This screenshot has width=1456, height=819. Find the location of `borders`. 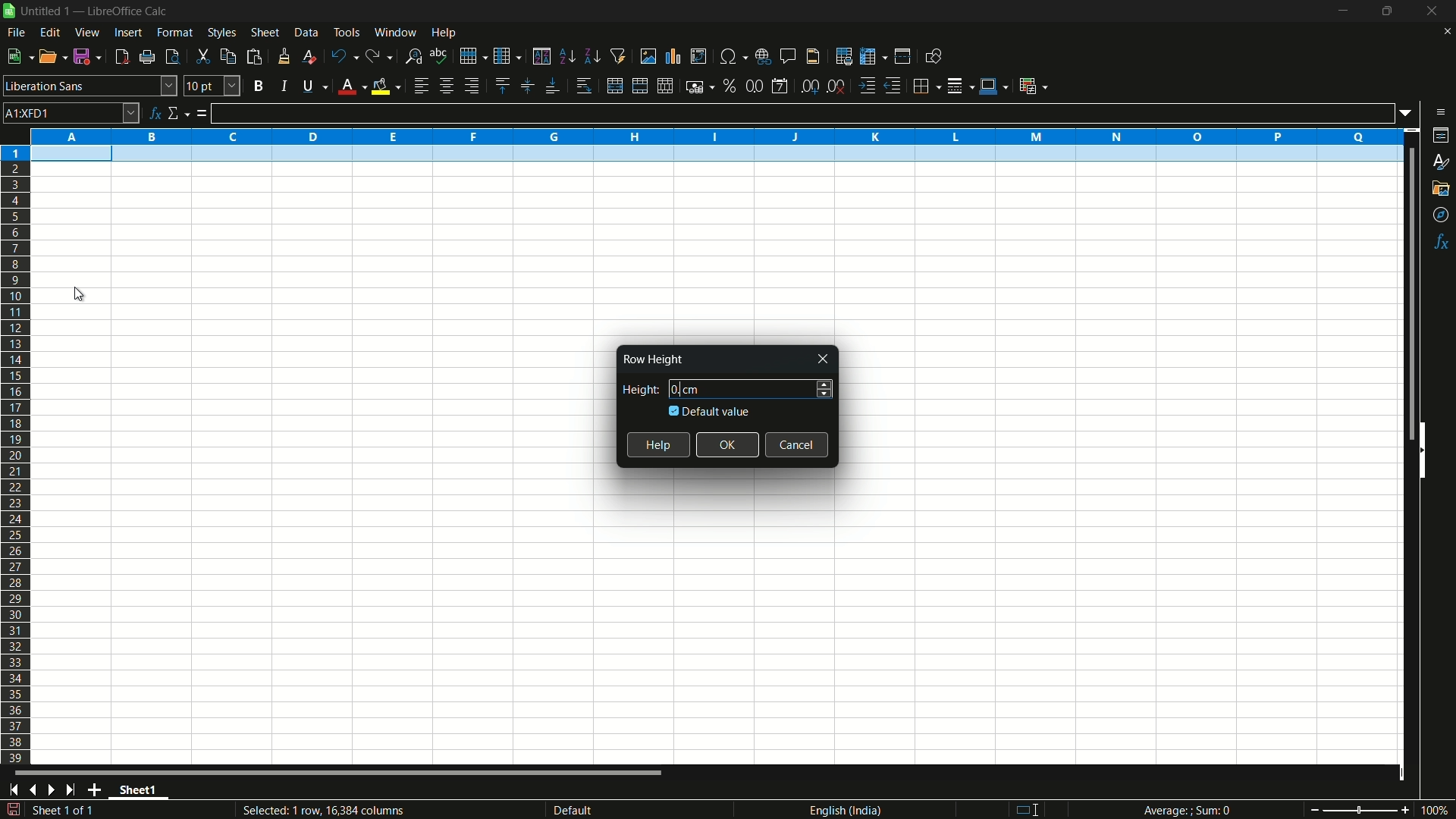

borders is located at coordinates (927, 84).